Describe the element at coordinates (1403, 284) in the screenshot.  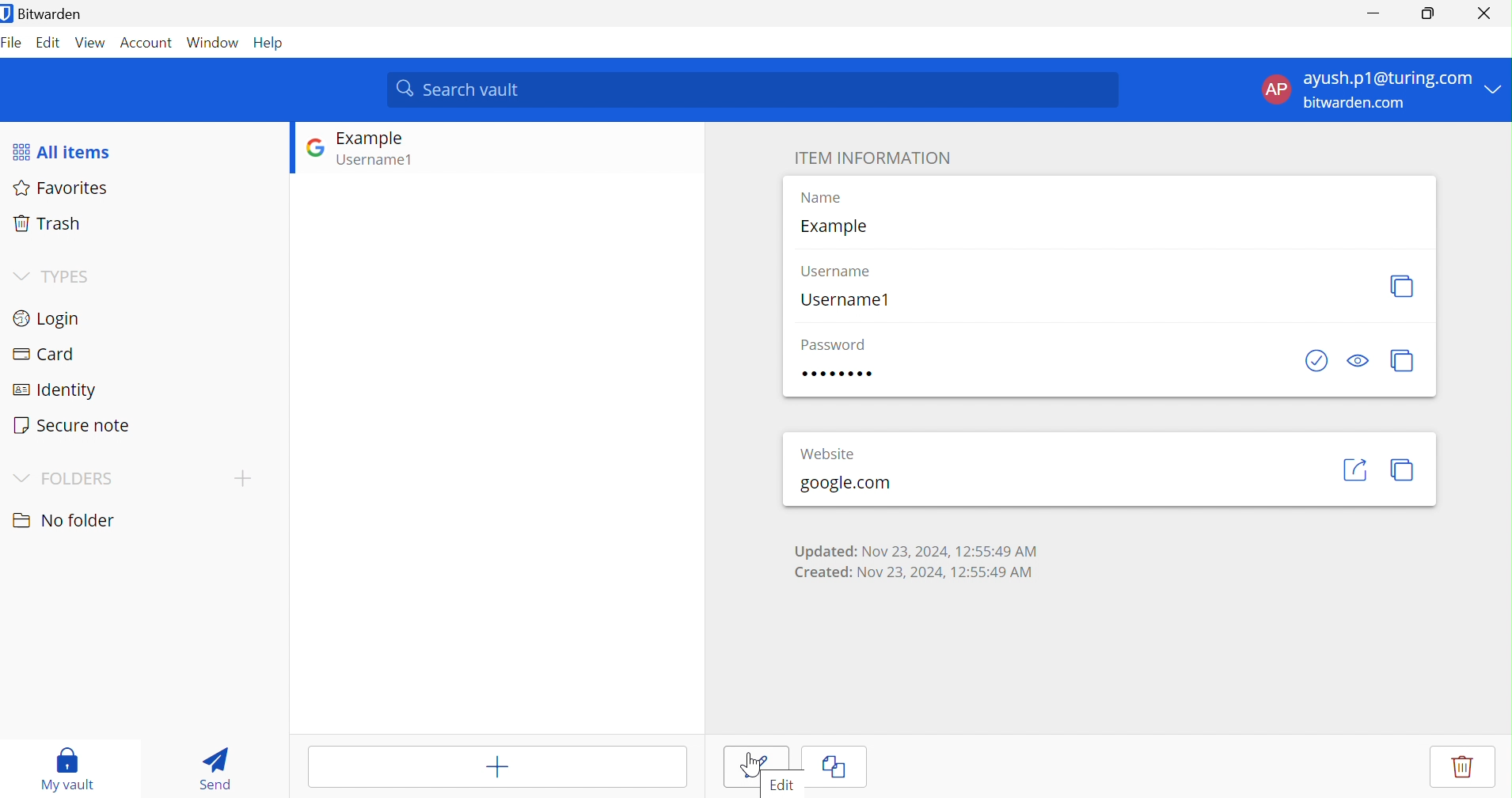
I see `Copy Username` at that location.